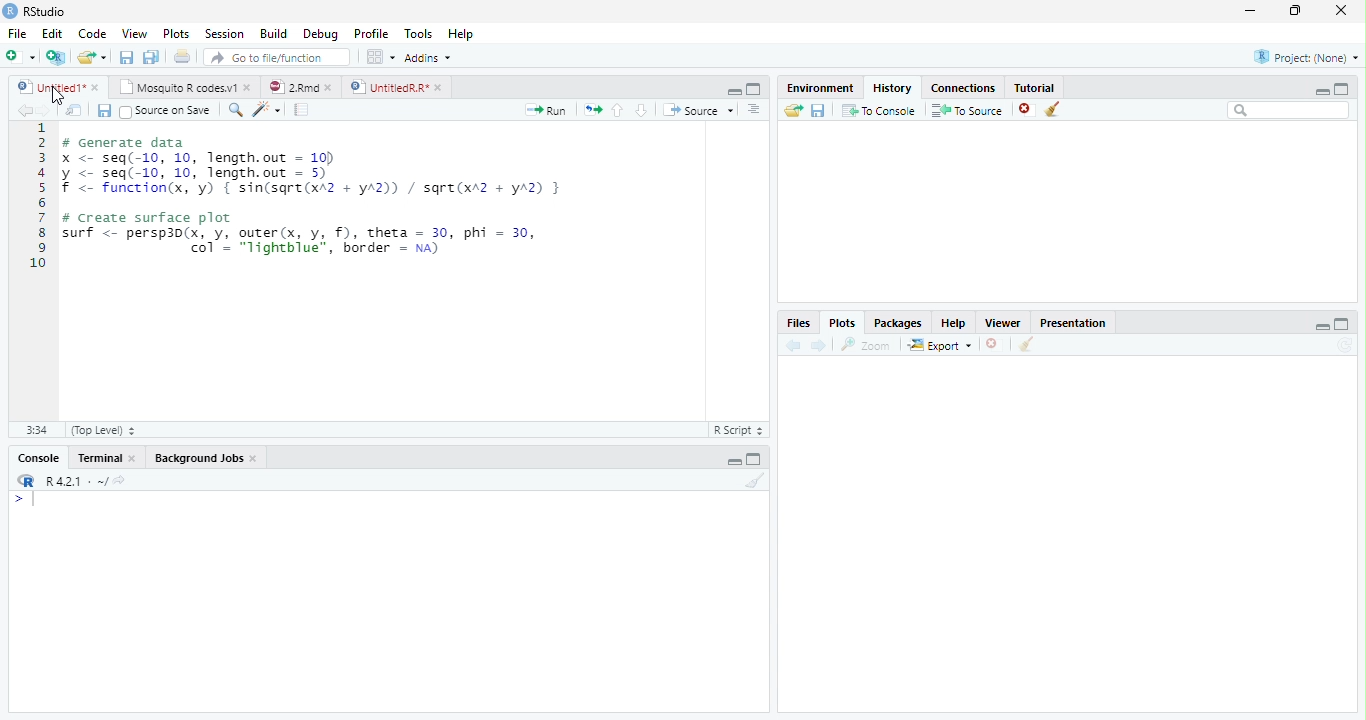 This screenshot has width=1366, height=720. What do you see at coordinates (793, 345) in the screenshot?
I see `Previous plot` at bounding box center [793, 345].